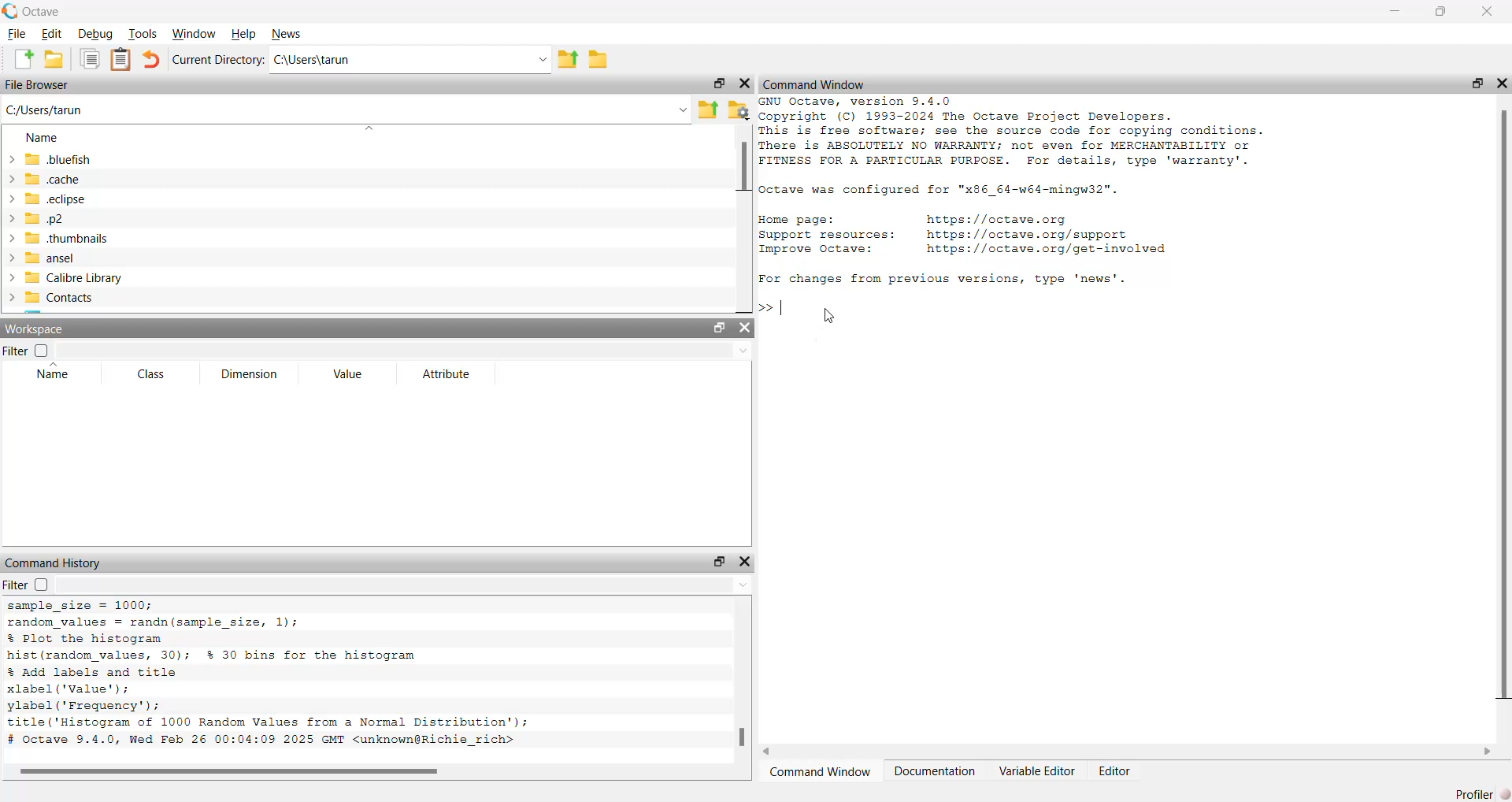 The image size is (1512, 802). I want to click on scroll right, so click(1487, 751).